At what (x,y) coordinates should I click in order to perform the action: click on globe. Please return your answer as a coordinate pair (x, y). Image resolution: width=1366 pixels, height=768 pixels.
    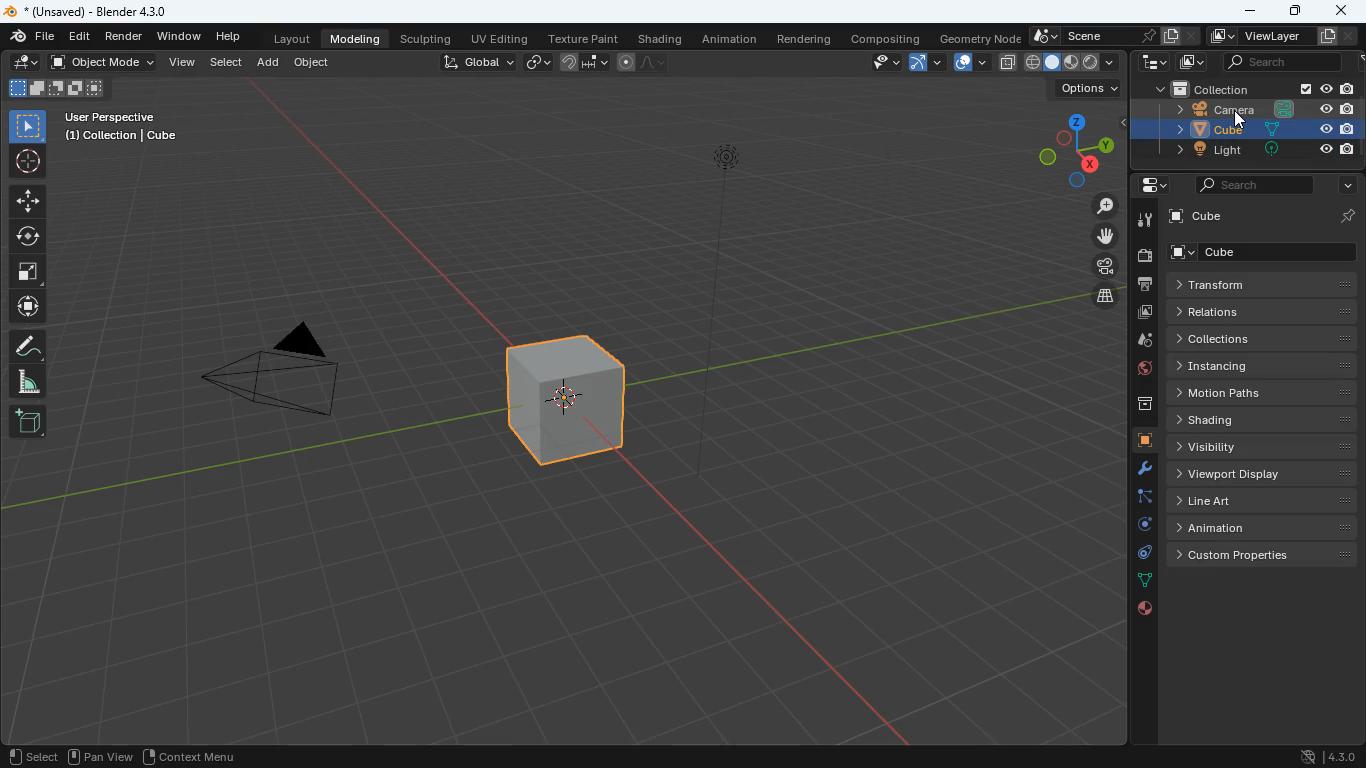
    Looking at the image, I should click on (1141, 369).